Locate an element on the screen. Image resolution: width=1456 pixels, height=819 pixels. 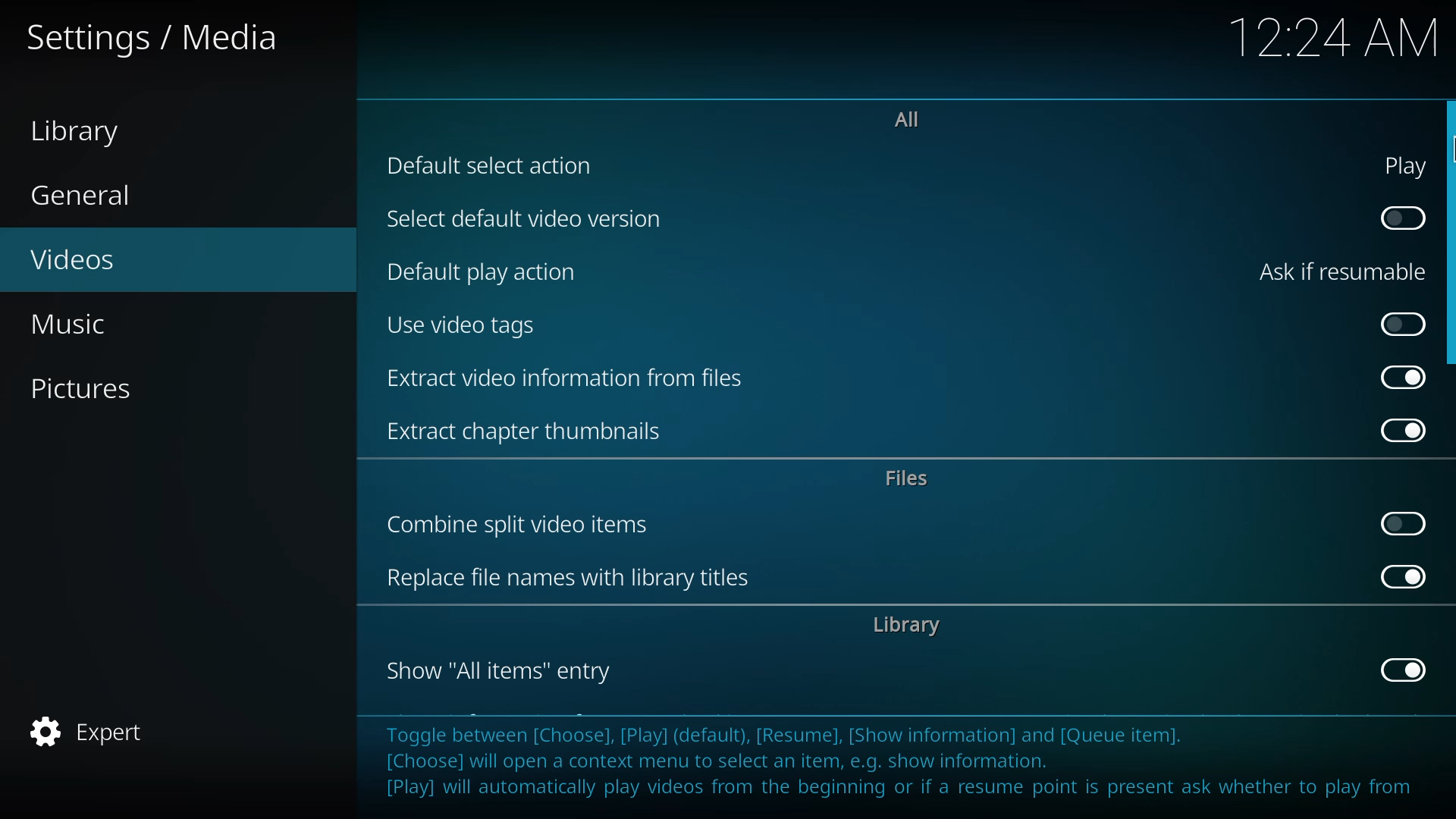
time is located at coordinates (1338, 35).